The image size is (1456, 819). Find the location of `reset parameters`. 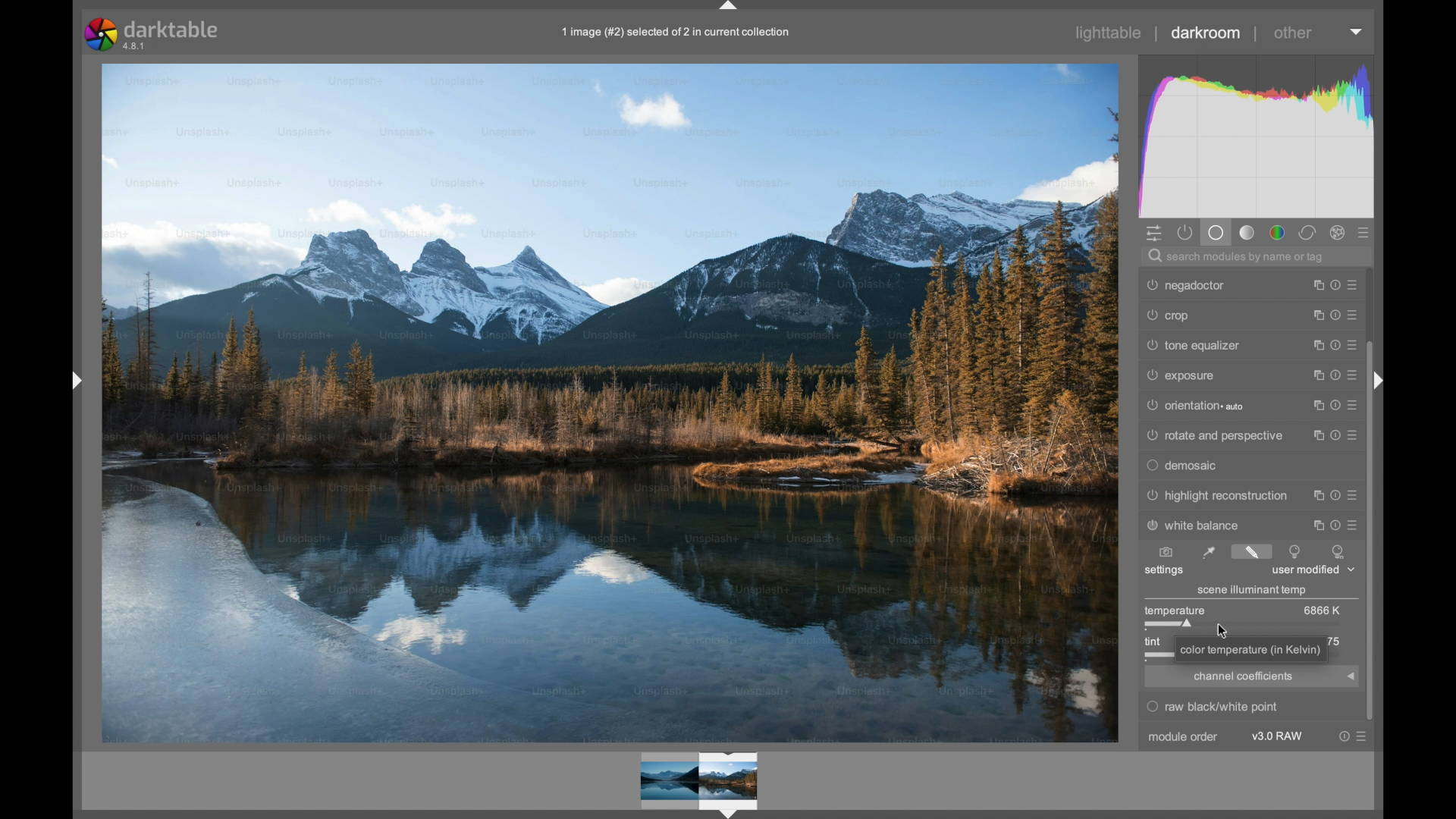

reset parameters is located at coordinates (1336, 281).